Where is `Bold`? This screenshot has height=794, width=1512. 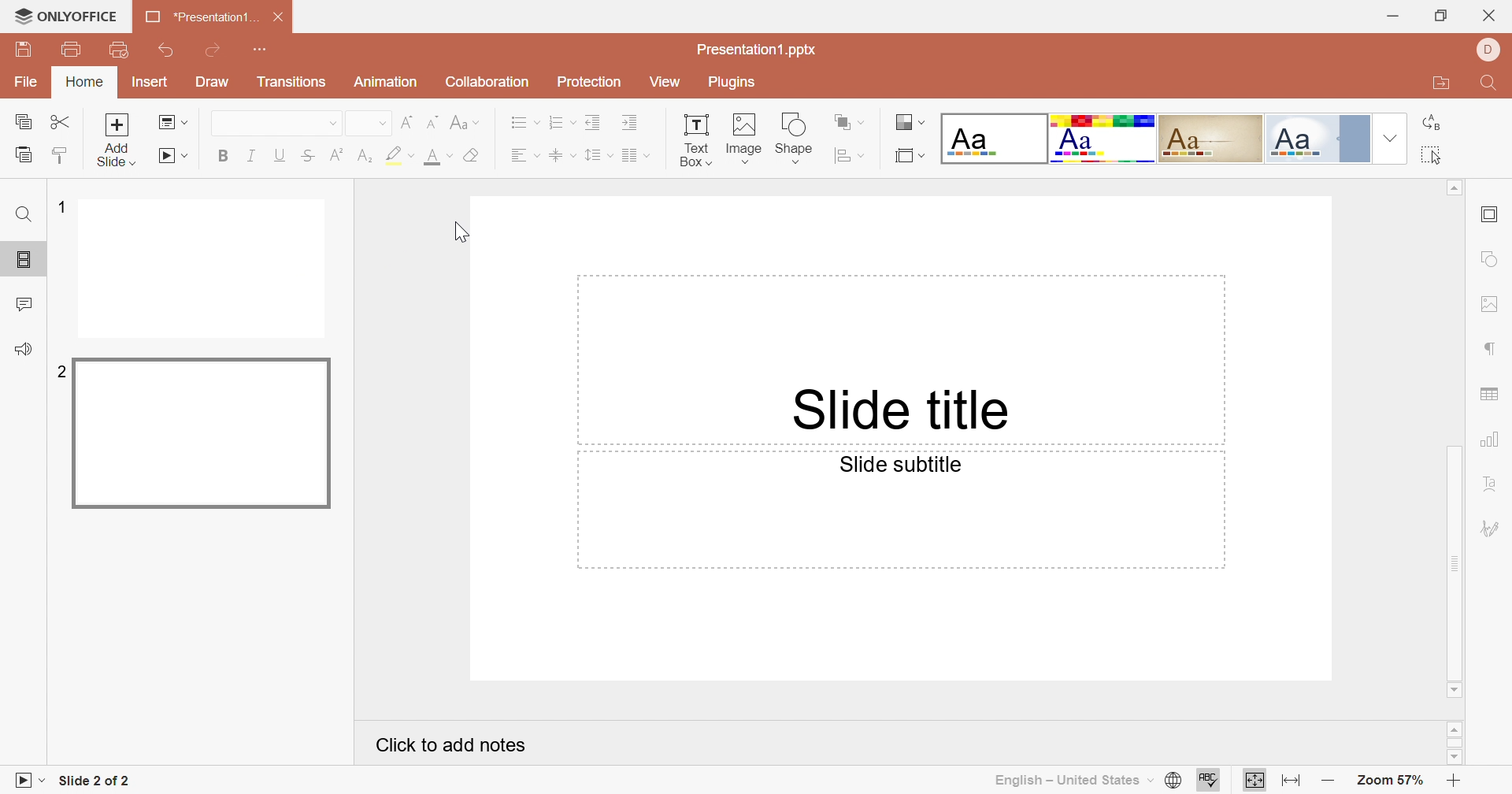 Bold is located at coordinates (223, 156).